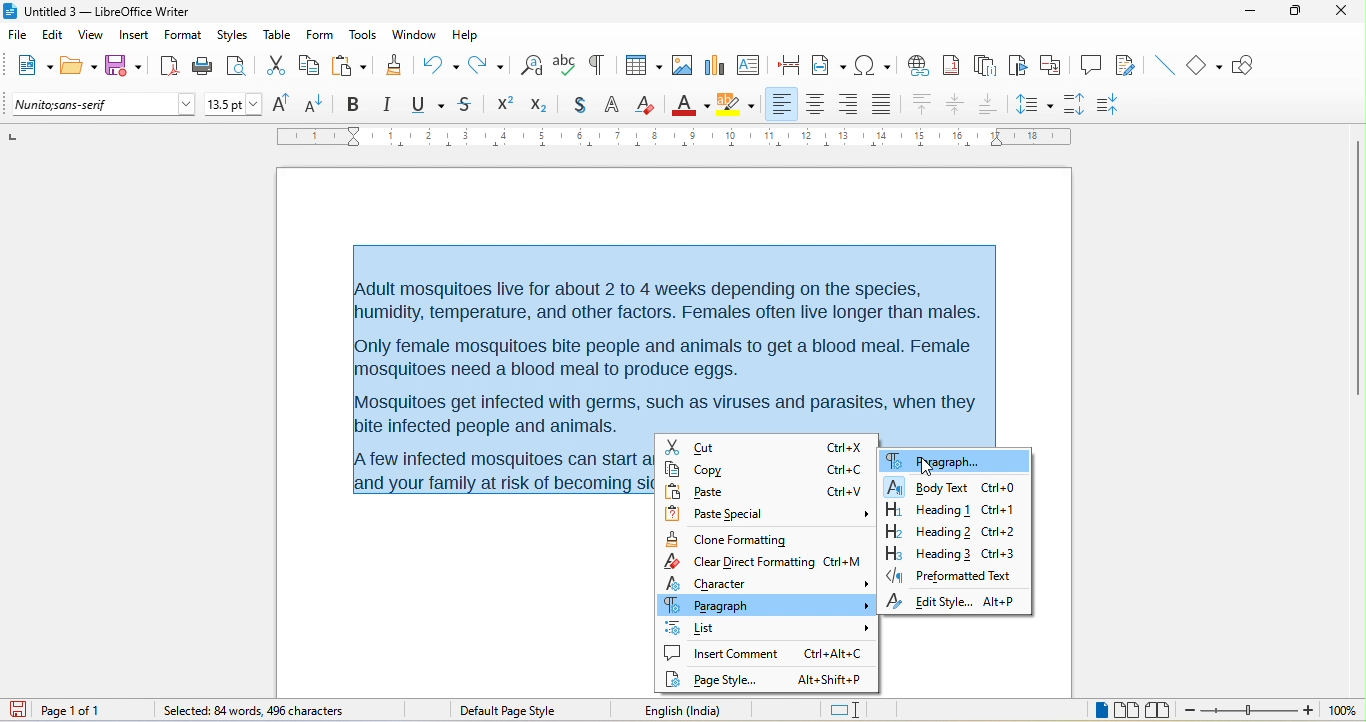 The width and height of the screenshot is (1366, 722). What do you see at coordinates (885, 102) in the screenshot?
I see `justified` at bounding box center [885, 102].